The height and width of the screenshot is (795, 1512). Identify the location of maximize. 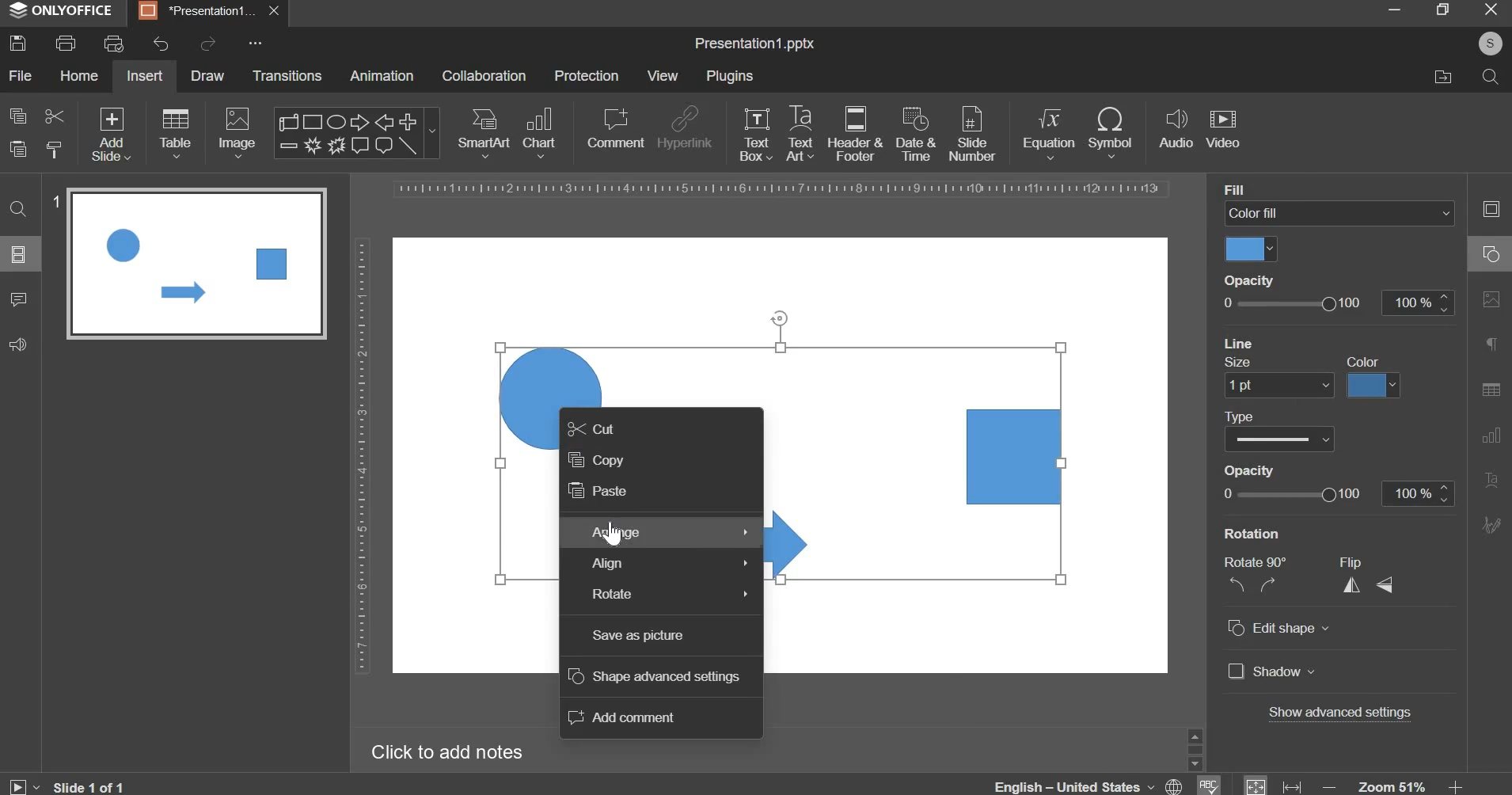
(1442, 9).